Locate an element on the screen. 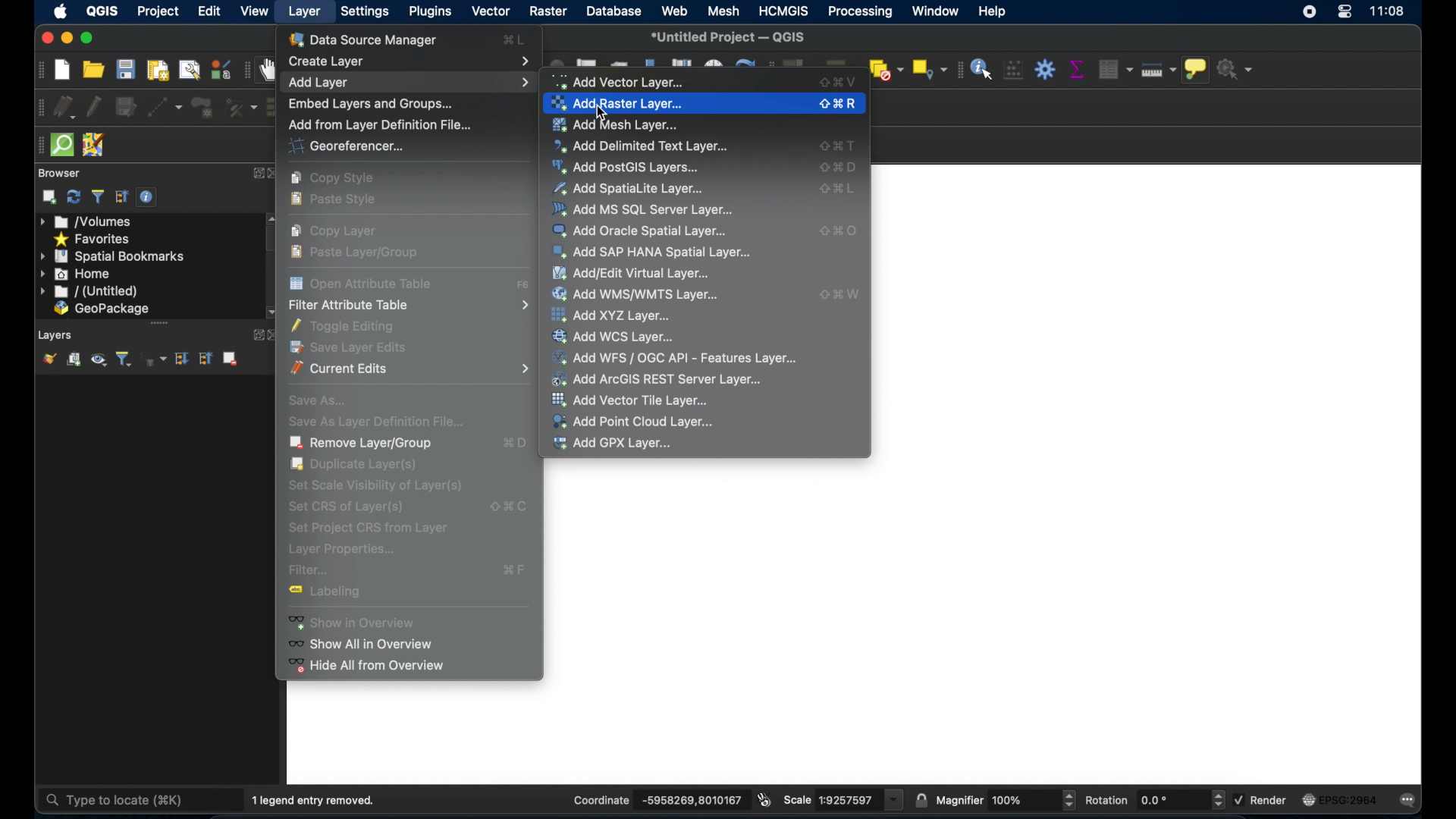  set csr of layers is located at coordinates (507, 504).